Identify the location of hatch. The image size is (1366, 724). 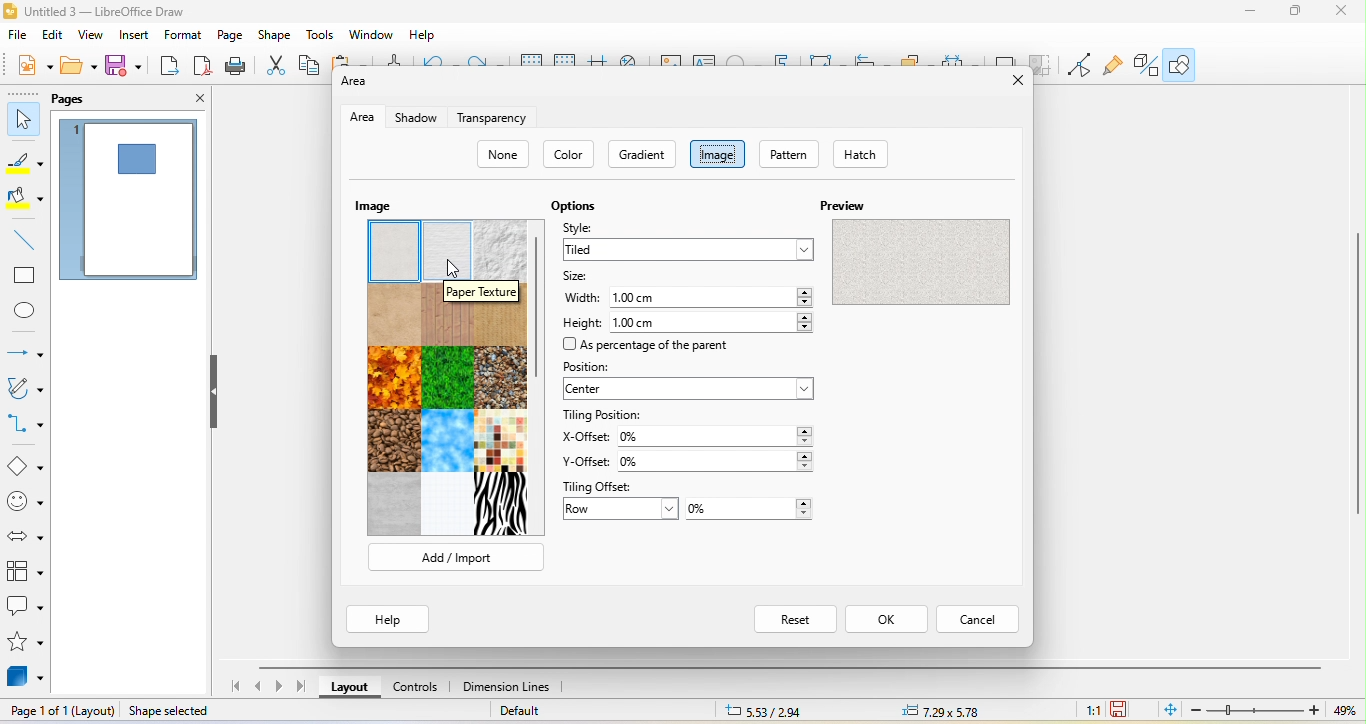
(858, 153).